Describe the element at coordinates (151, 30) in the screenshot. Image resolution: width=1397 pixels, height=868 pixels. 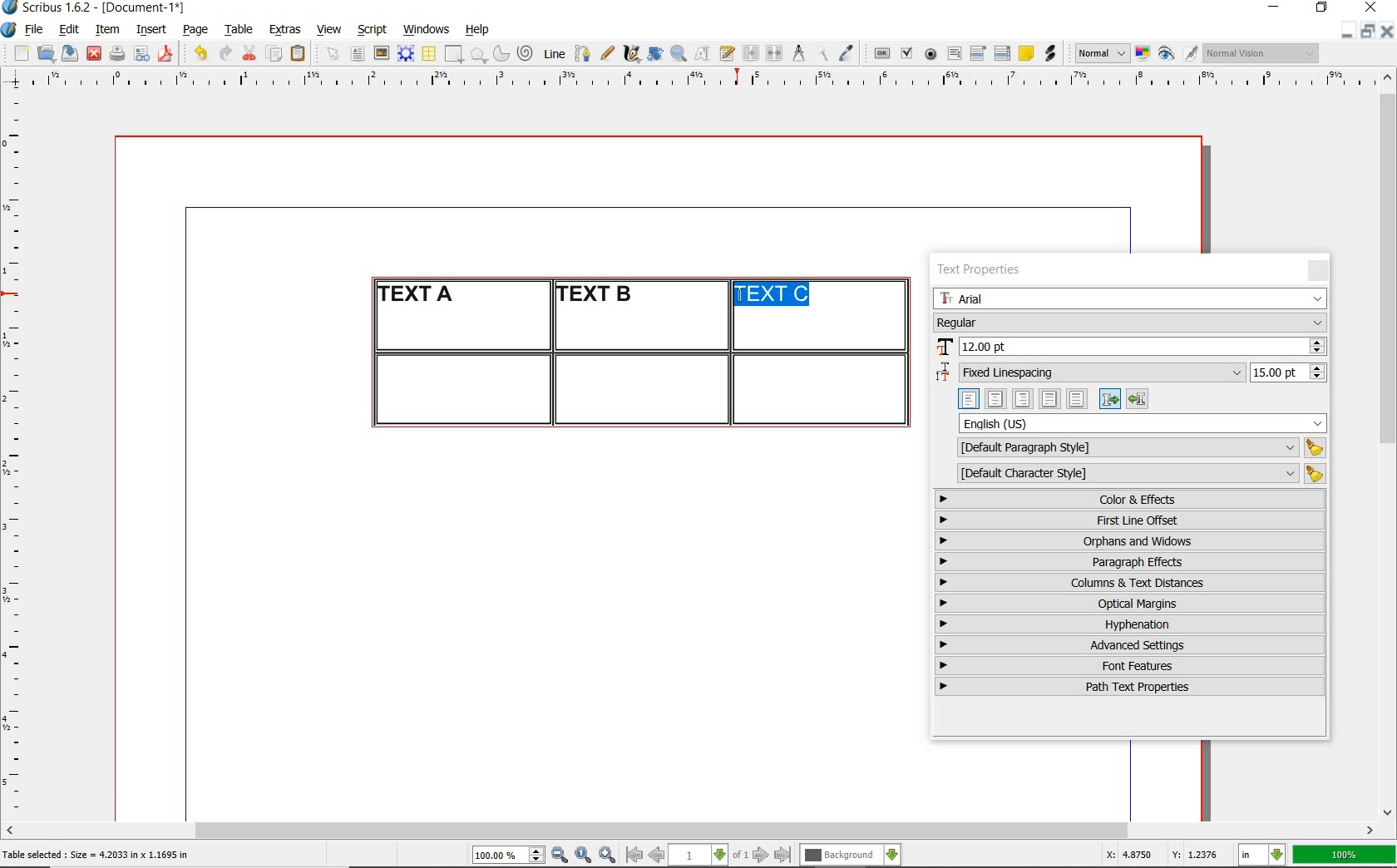
I see `insert` at that location.